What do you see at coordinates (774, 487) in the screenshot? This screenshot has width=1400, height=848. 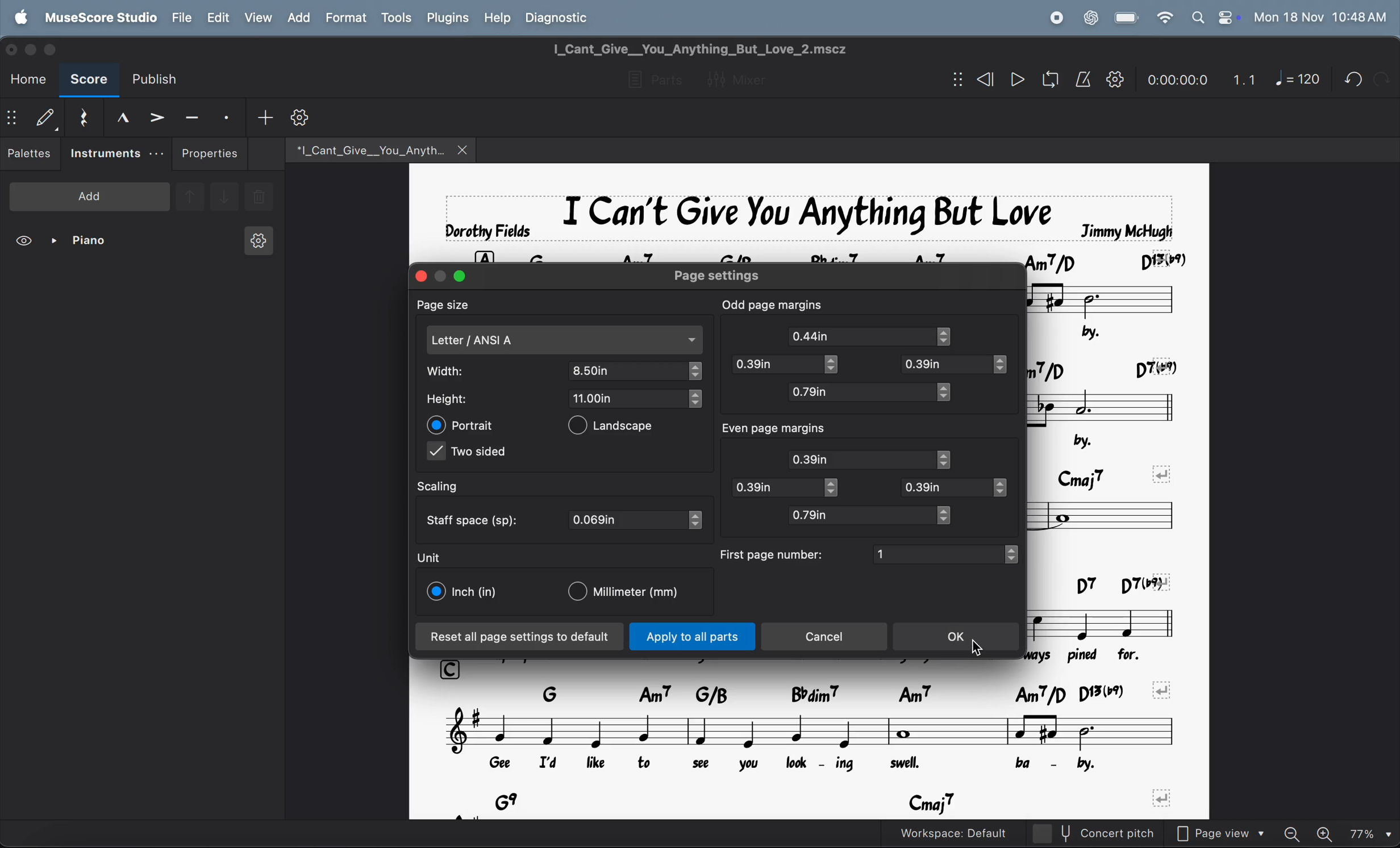 I see `0.39in` at bounding box center [774, 487].